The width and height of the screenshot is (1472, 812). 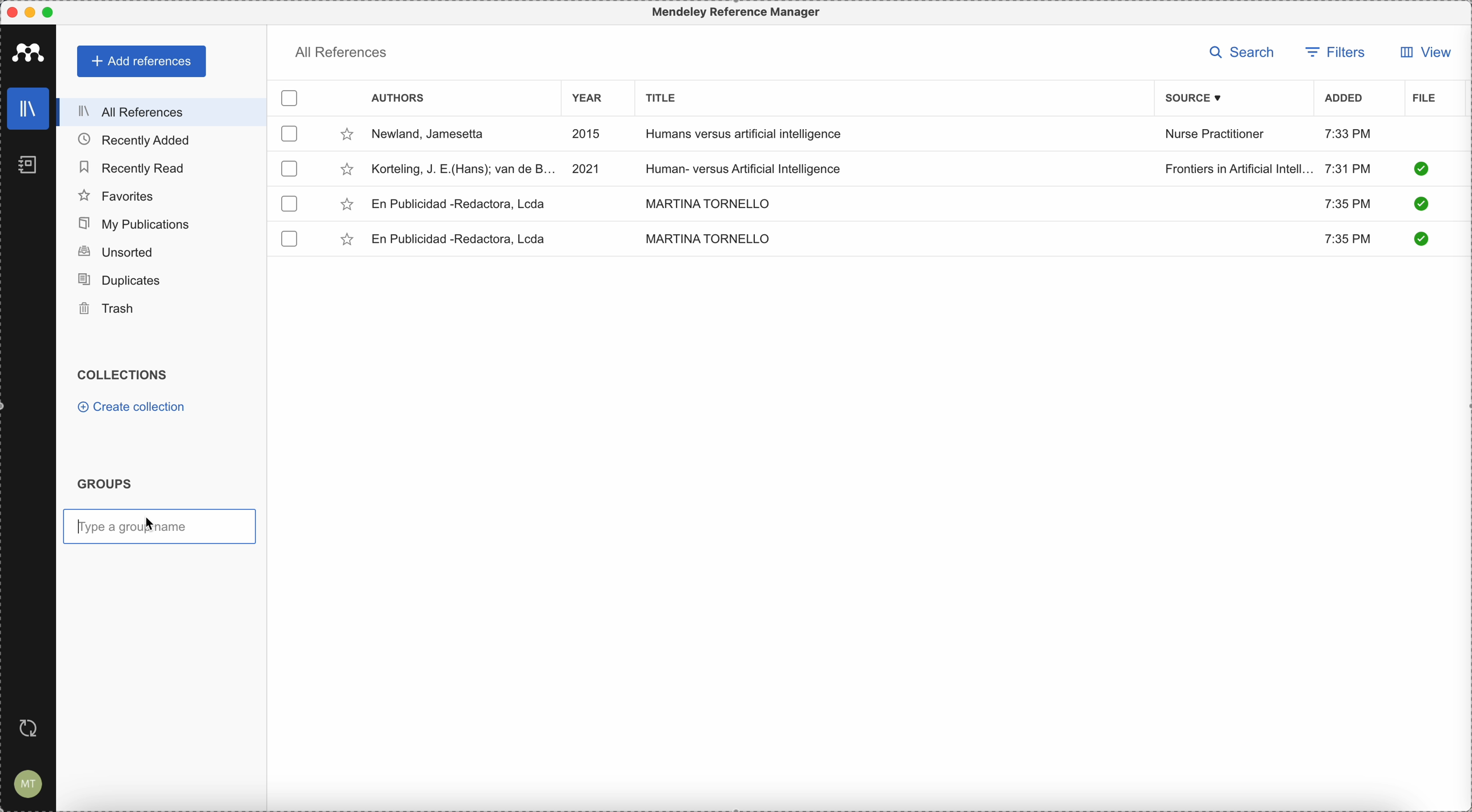 What do you see at coordinates (294, 99) in the screenshot?
I see `checkbox` at bounding box center [294, 99].